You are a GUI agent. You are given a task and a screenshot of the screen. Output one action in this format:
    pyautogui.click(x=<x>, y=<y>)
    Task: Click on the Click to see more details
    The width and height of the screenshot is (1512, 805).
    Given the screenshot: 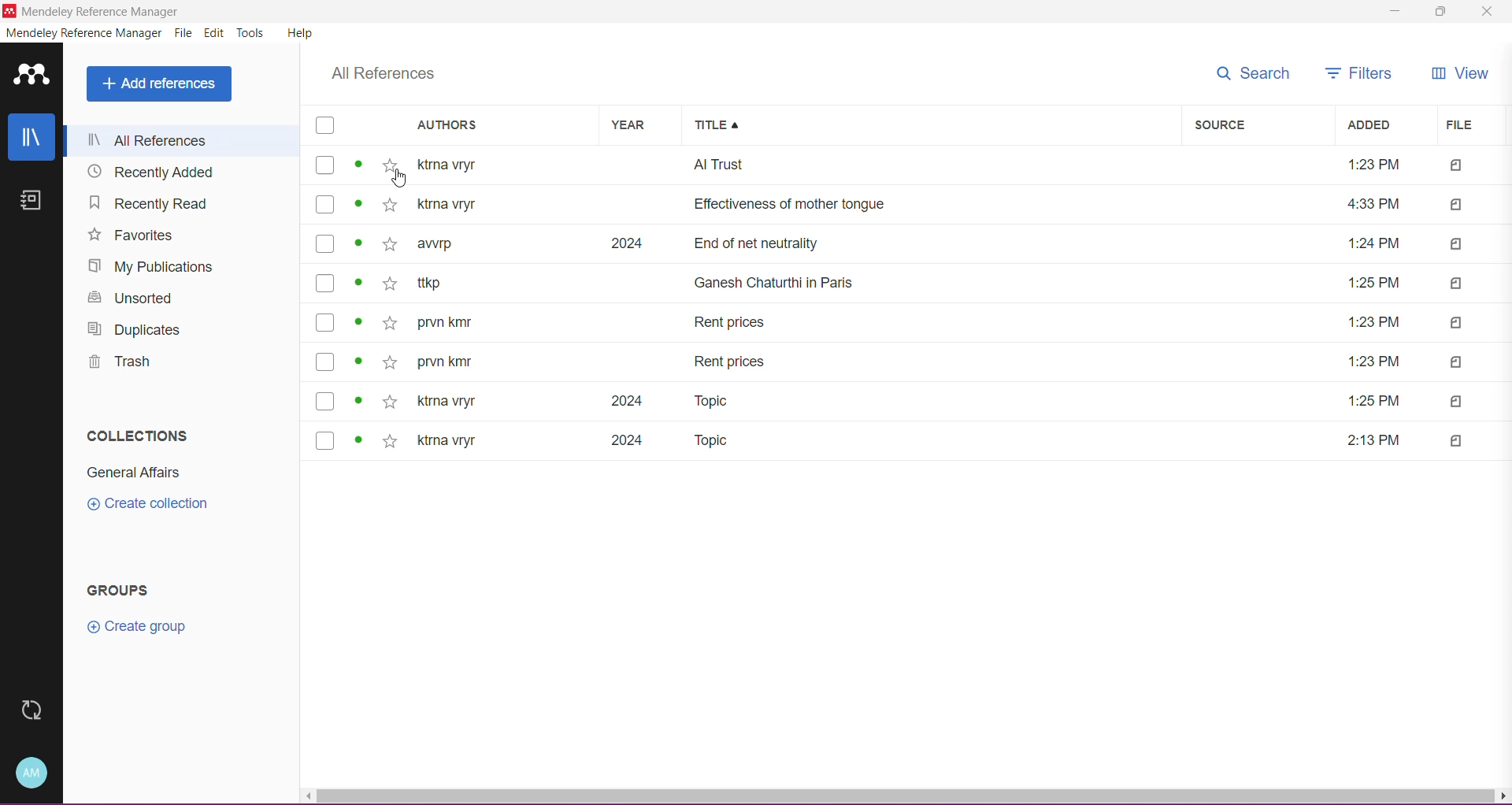 What is the action you would take?
    pyautogui.click(x=359, y=165)
    